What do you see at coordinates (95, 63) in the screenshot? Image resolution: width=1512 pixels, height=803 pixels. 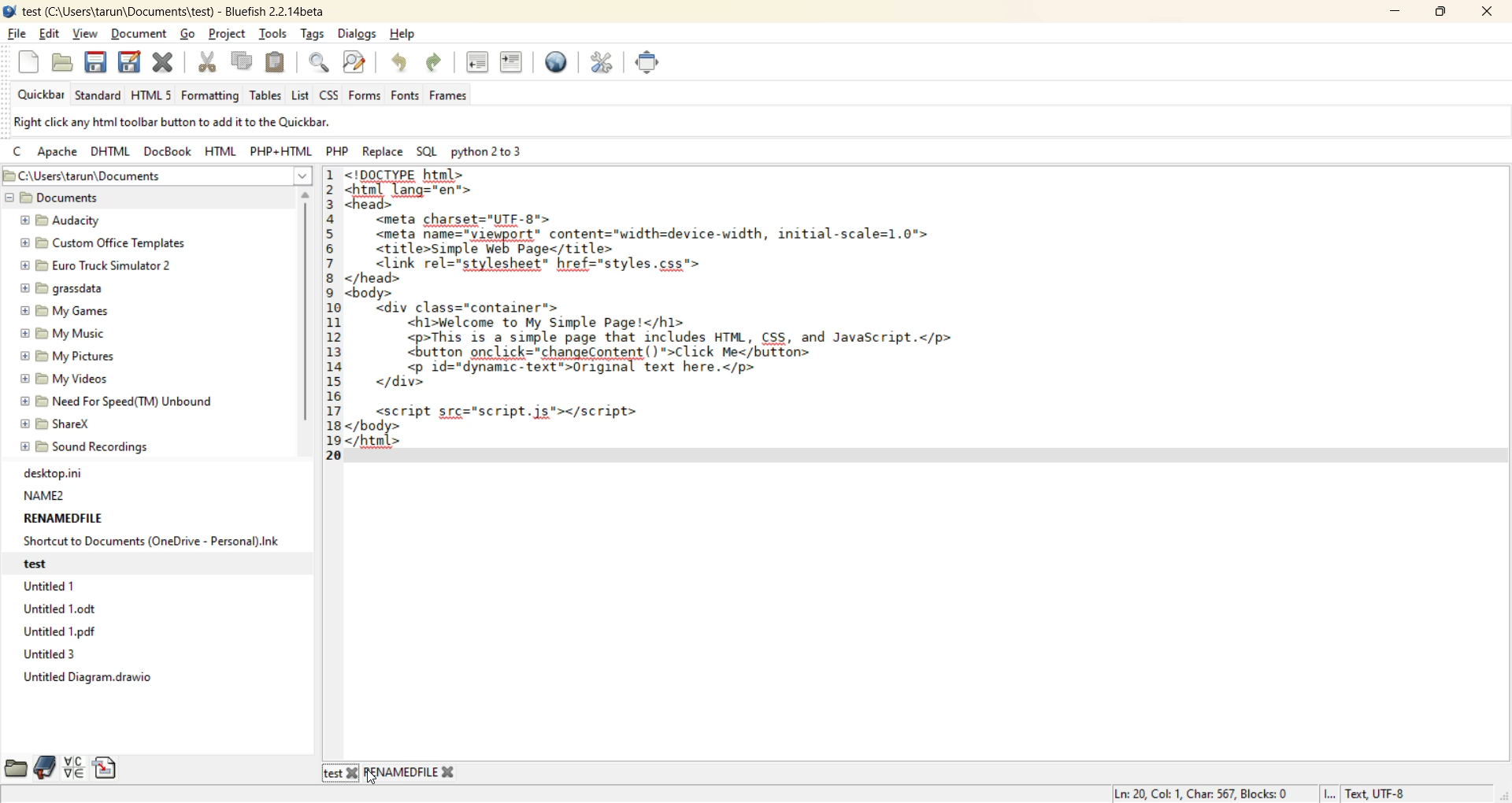 I see `save` at bounding box center [95, 63].